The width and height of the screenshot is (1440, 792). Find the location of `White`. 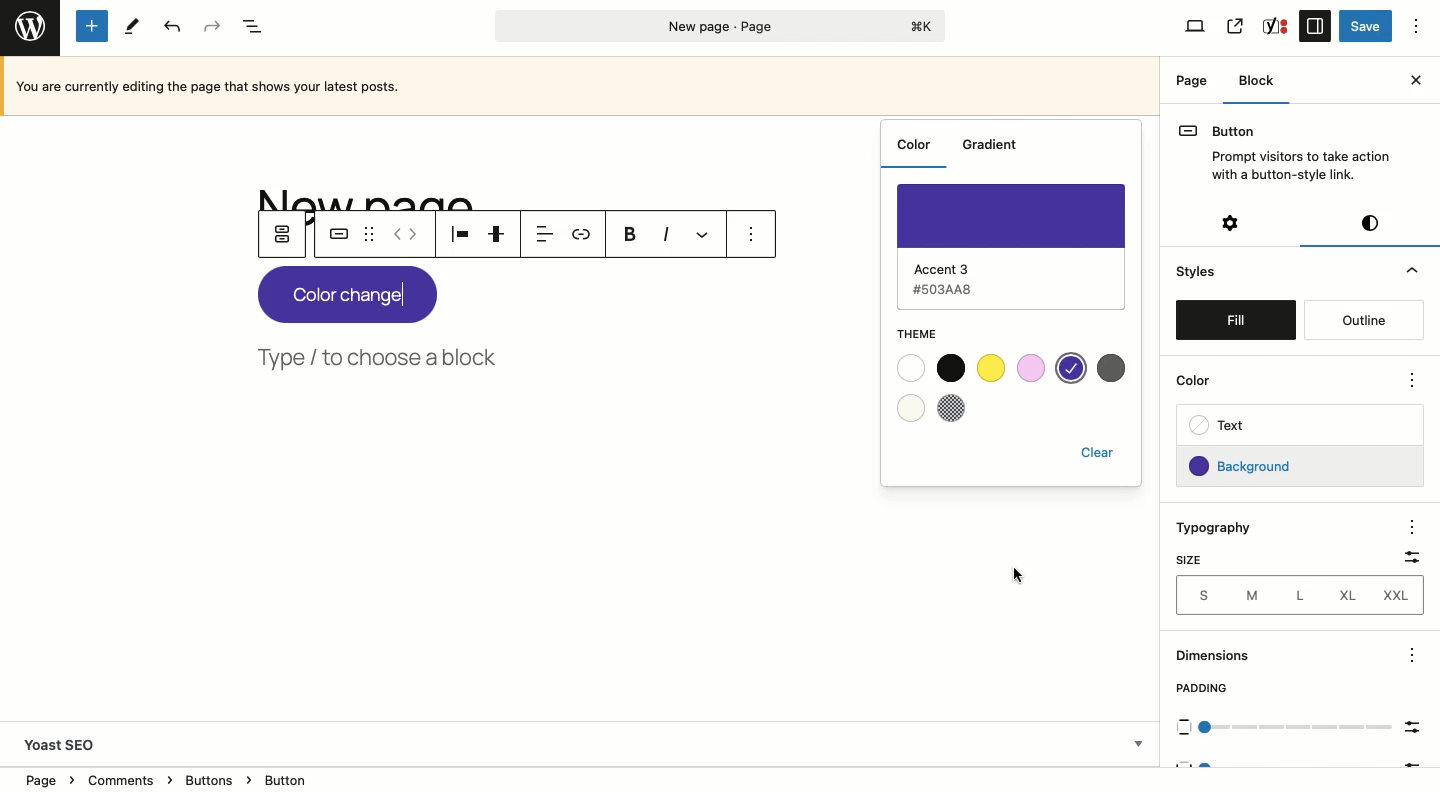

White is located at coordinates (912, 391).